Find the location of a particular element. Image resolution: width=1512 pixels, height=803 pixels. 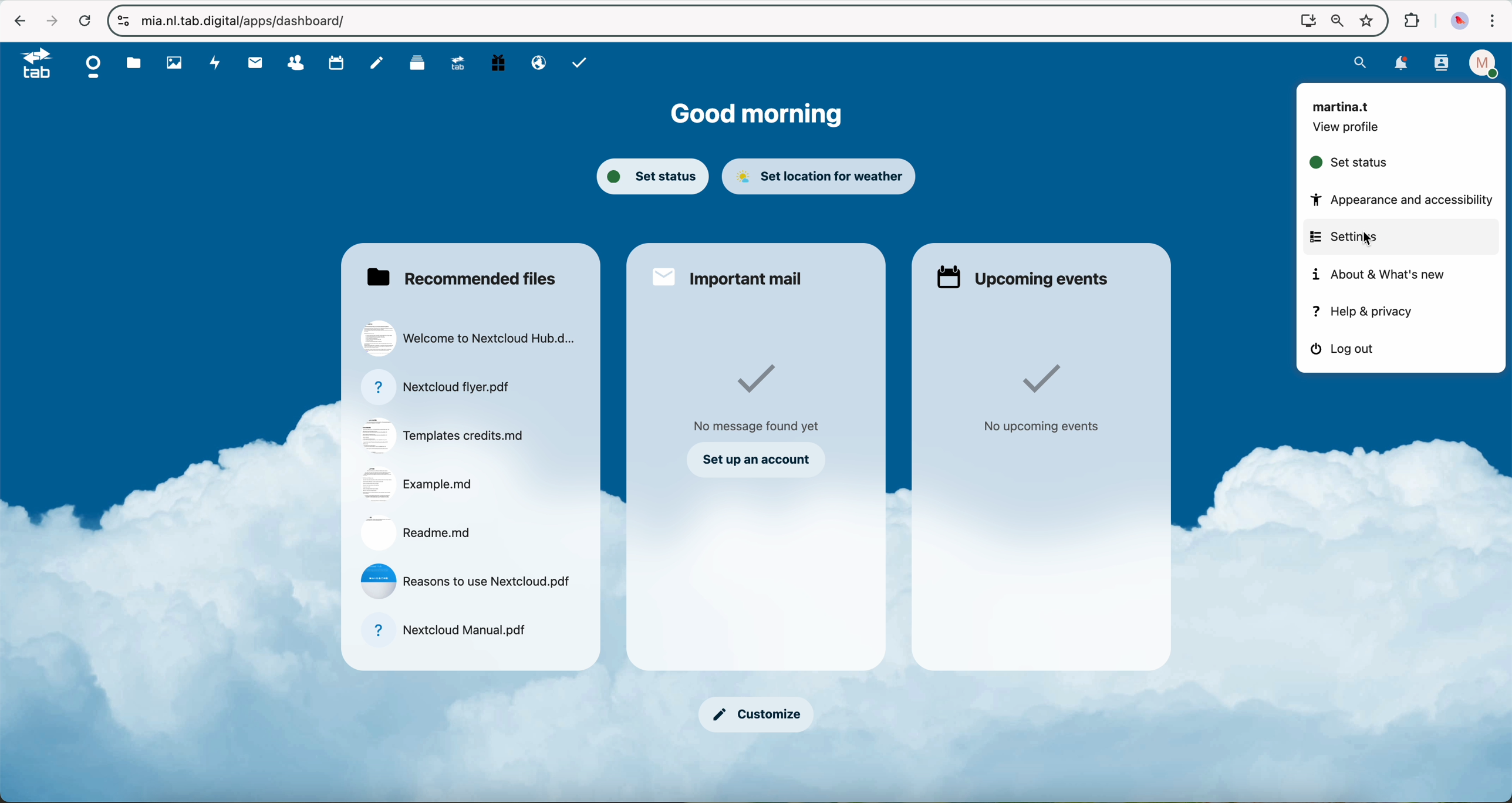

deck is located at coordinates (417, 66).